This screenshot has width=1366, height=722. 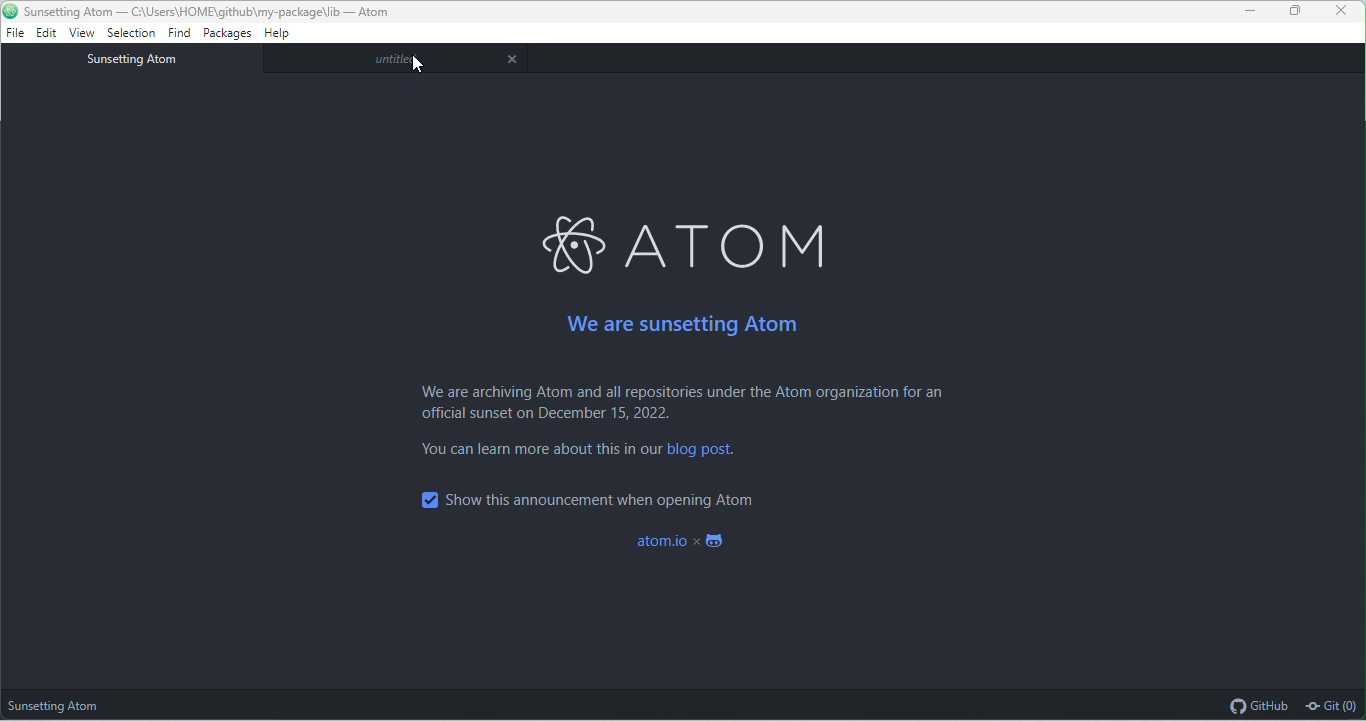 I want to click on we are sunsetting atom, so click(x=680, y=324).